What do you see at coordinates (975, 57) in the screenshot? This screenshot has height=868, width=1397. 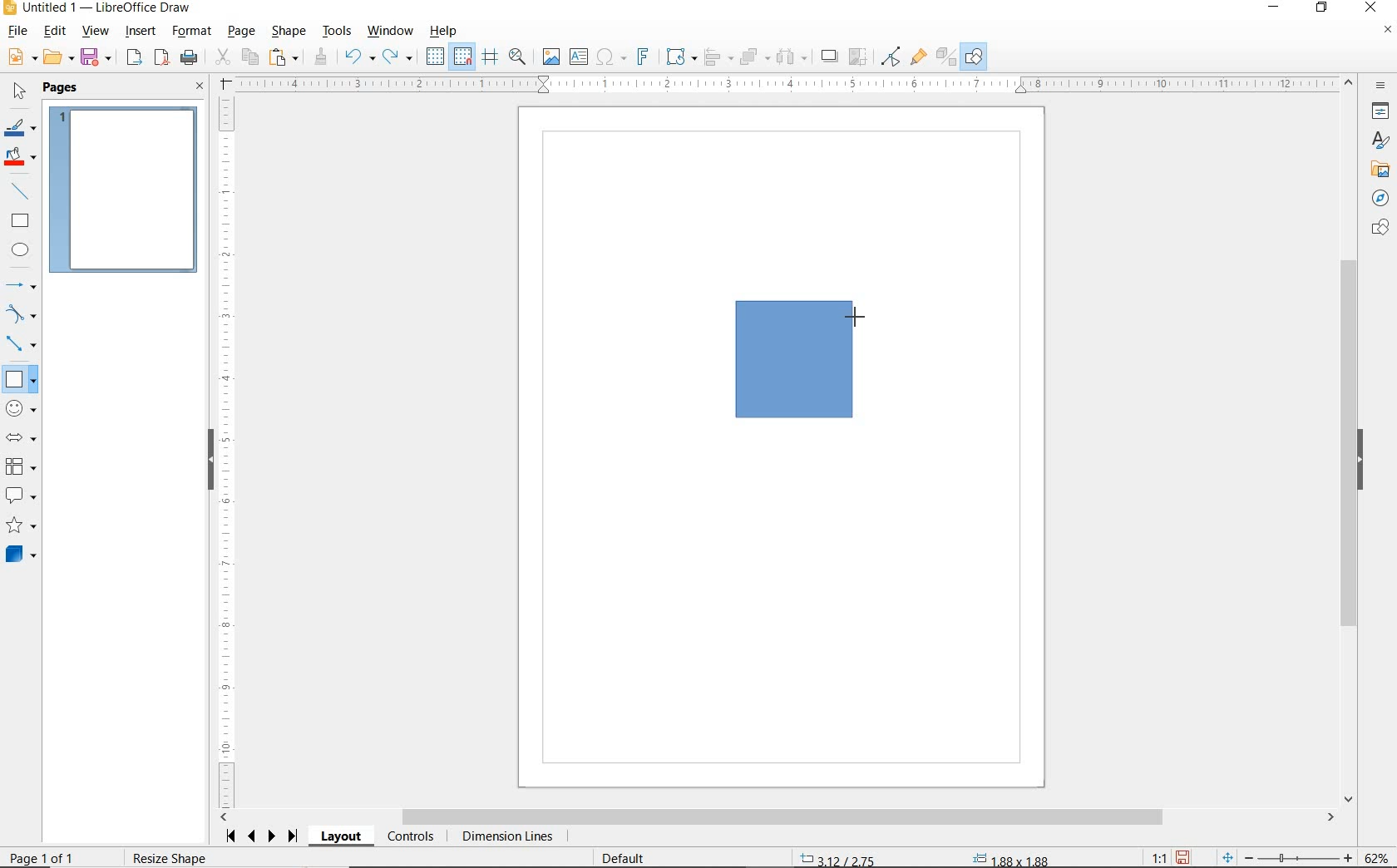 I see `SHOW DRAW FUNCTIONS` at bounding box center [975, 57].